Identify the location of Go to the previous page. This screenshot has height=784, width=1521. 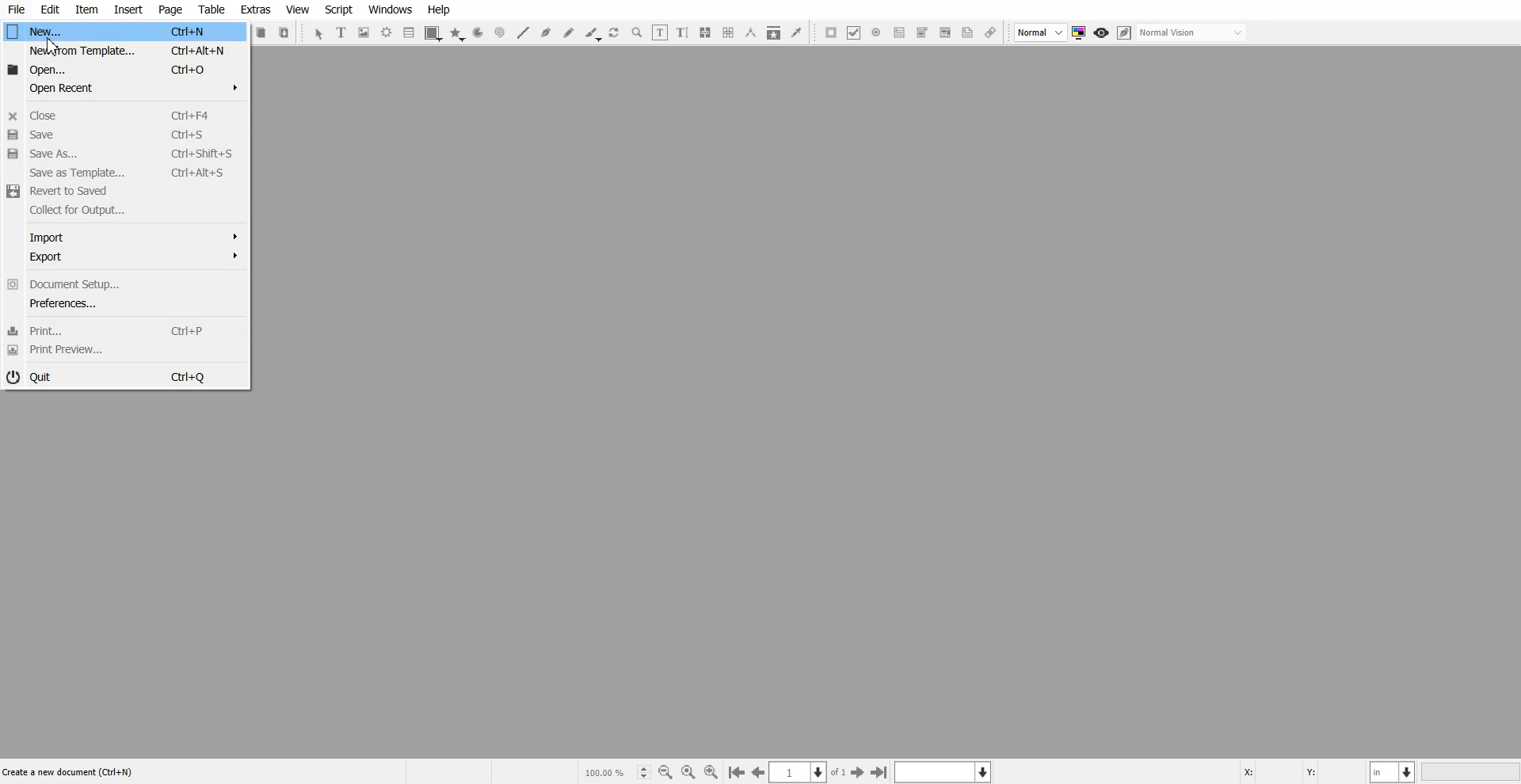
(758, 772).